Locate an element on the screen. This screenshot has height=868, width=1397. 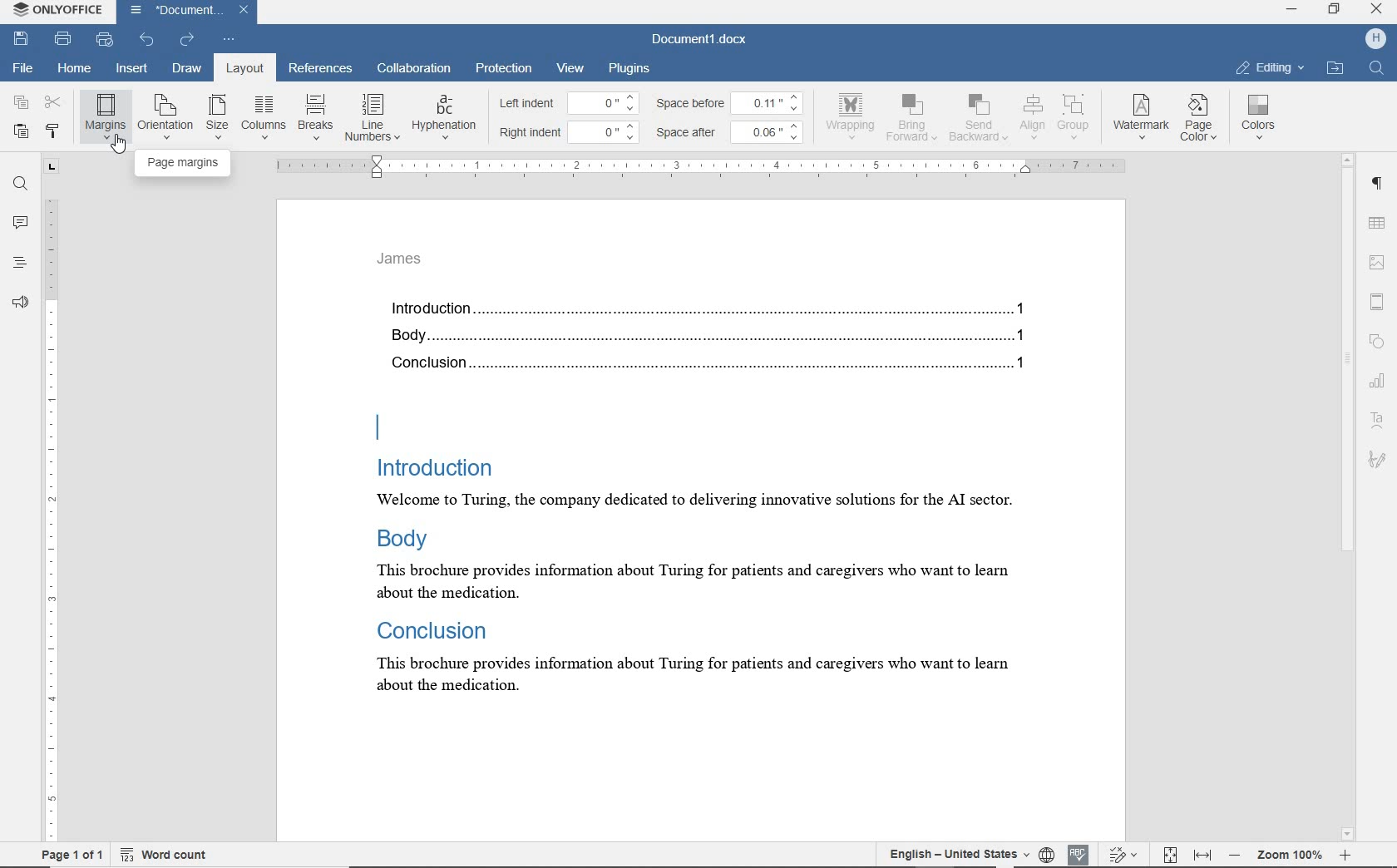
FIND is located at coordinates (1379, 67).